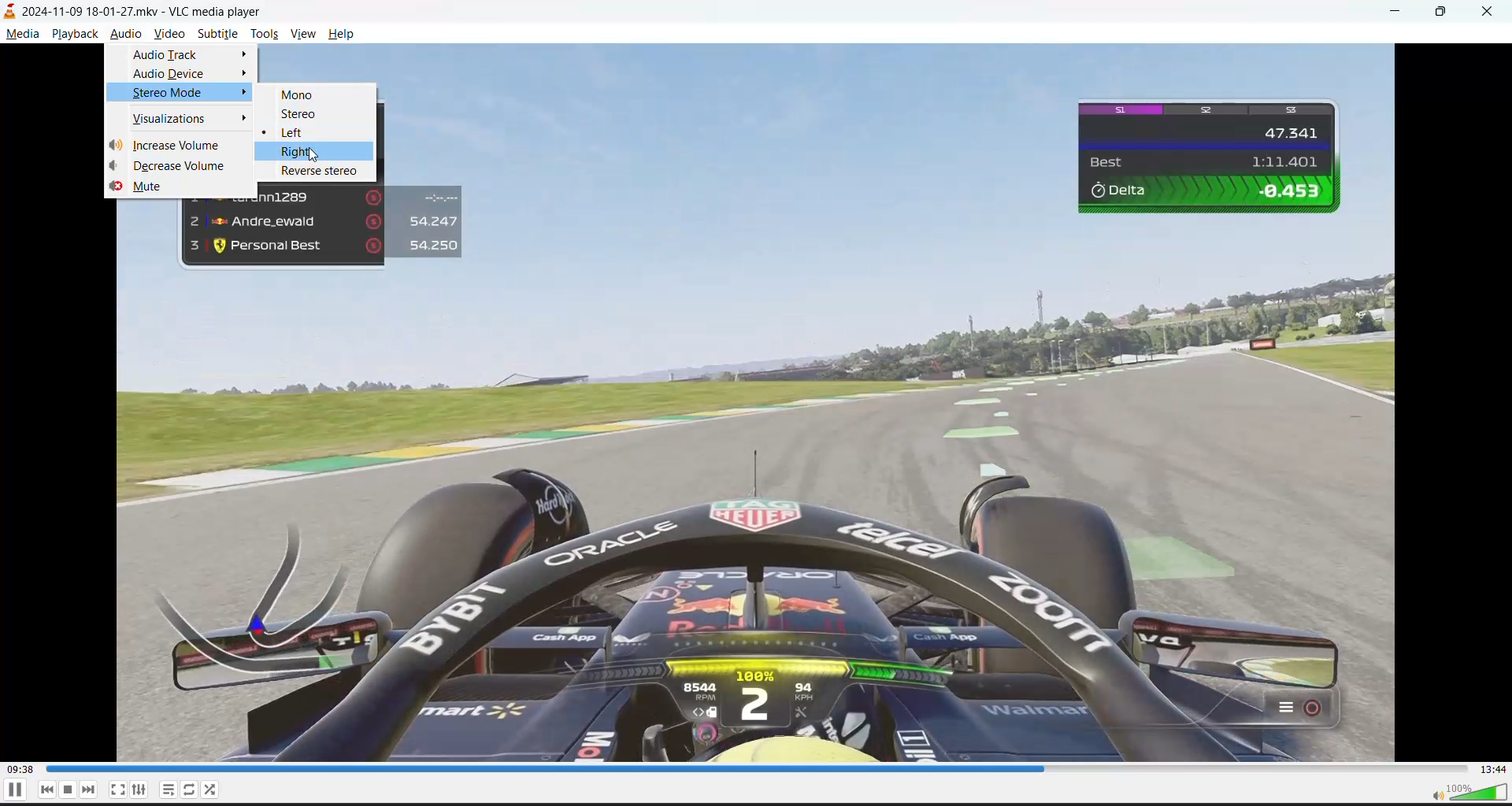 This screenshot has width=1512, height=806. Describe the element at coordinates (175, 146) in the screenshot. I see `increase volume` at that location.